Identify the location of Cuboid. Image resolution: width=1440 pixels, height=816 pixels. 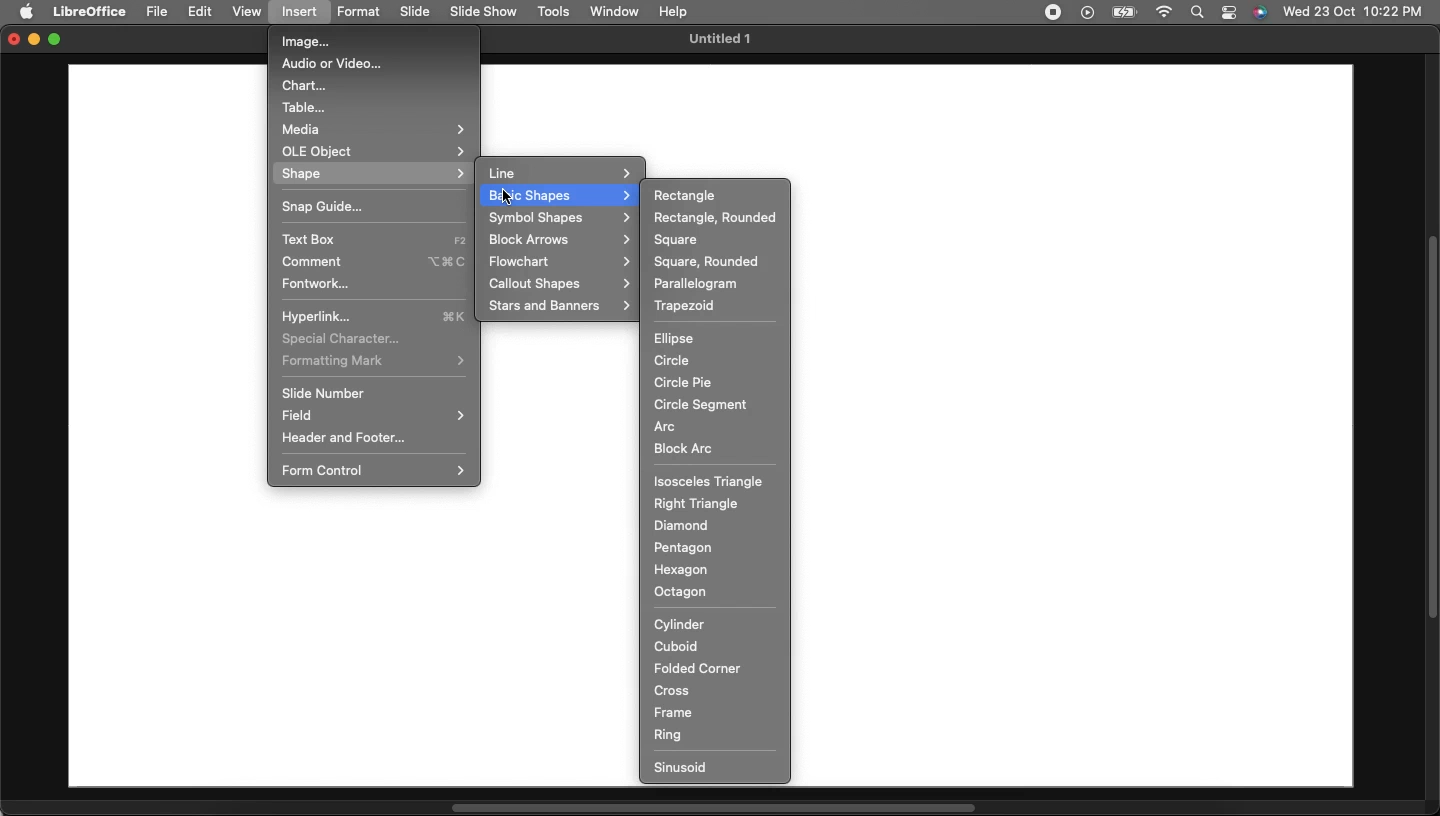
(675, 647).